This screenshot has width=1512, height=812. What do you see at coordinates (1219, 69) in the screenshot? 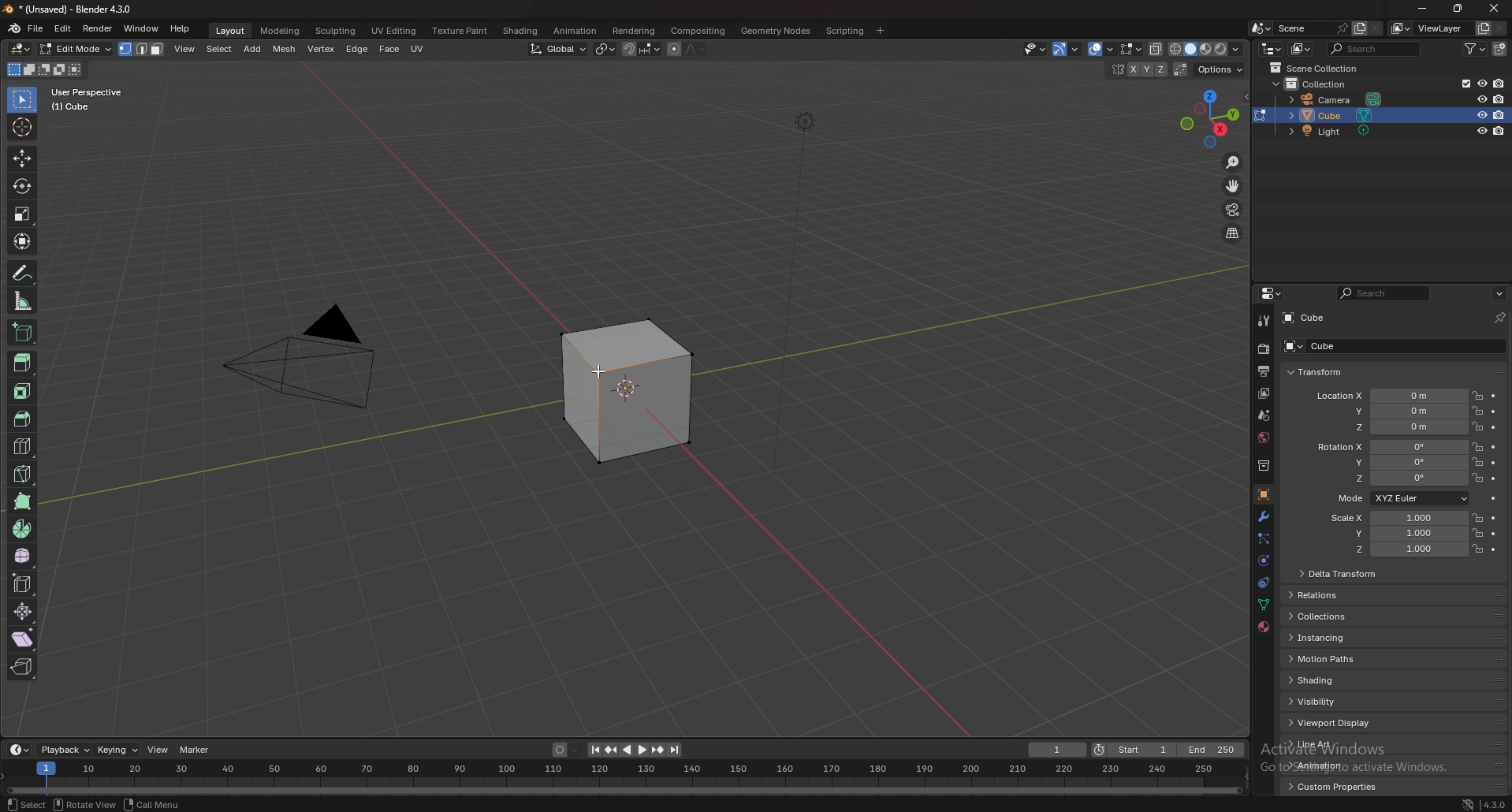
I see `options` at bounding box center [1219, 69].